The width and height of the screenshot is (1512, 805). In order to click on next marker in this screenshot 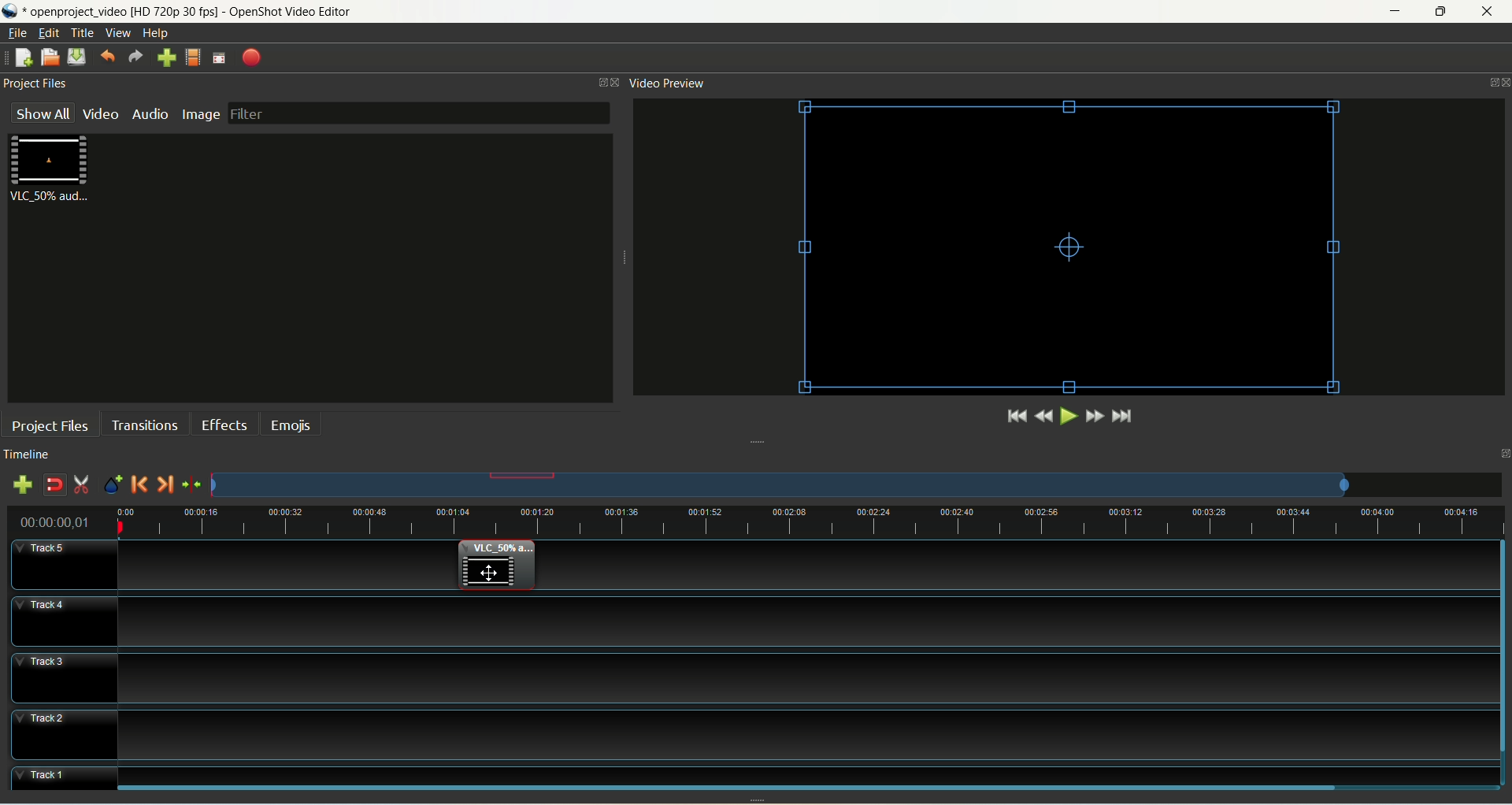, I will do `click(164, 485)`.